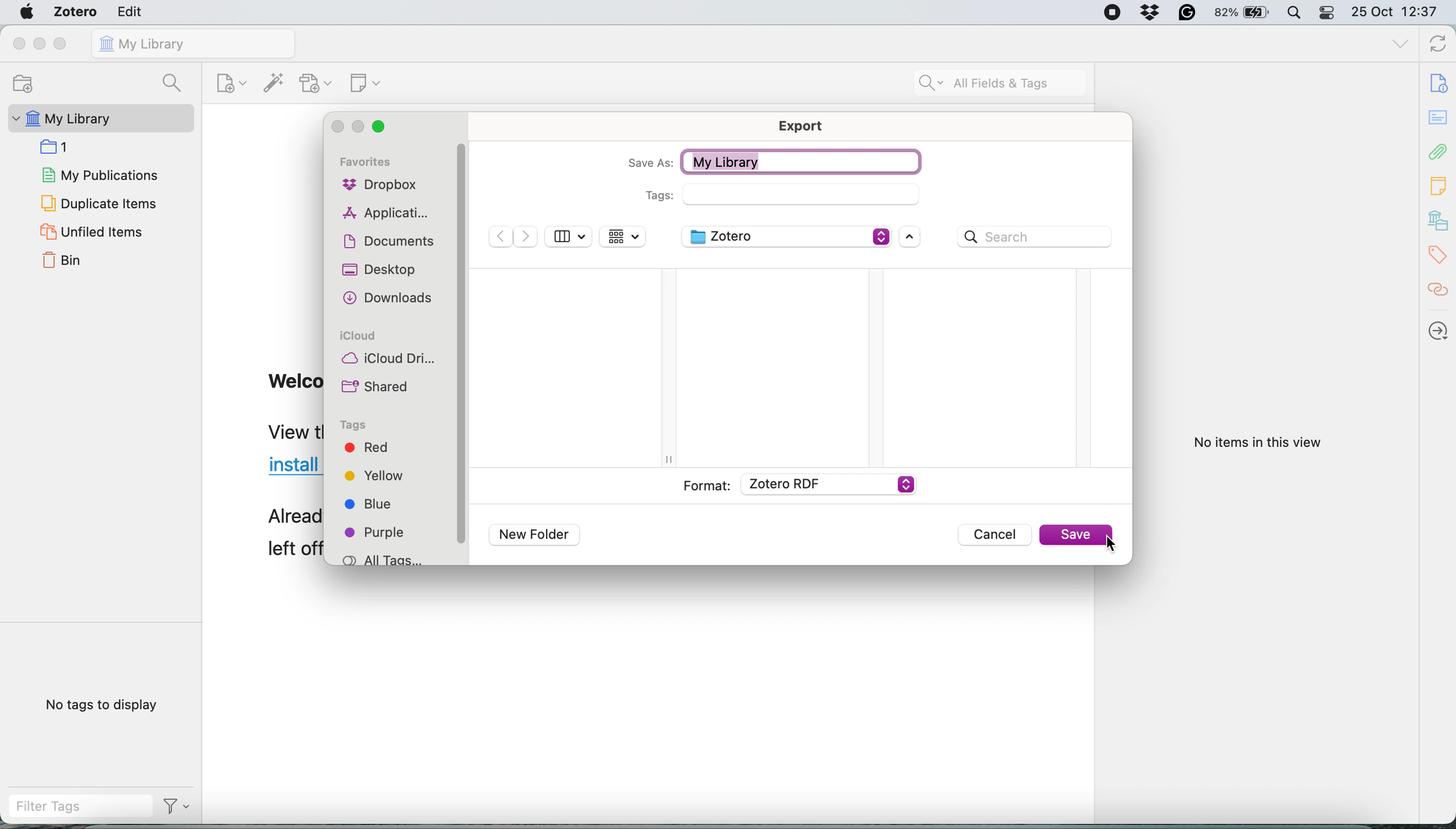 The height and width of the screenshot is (829, 1456). Describe the element at coordinates (527, 237) in the screenshot. I see `Forward` at that location.